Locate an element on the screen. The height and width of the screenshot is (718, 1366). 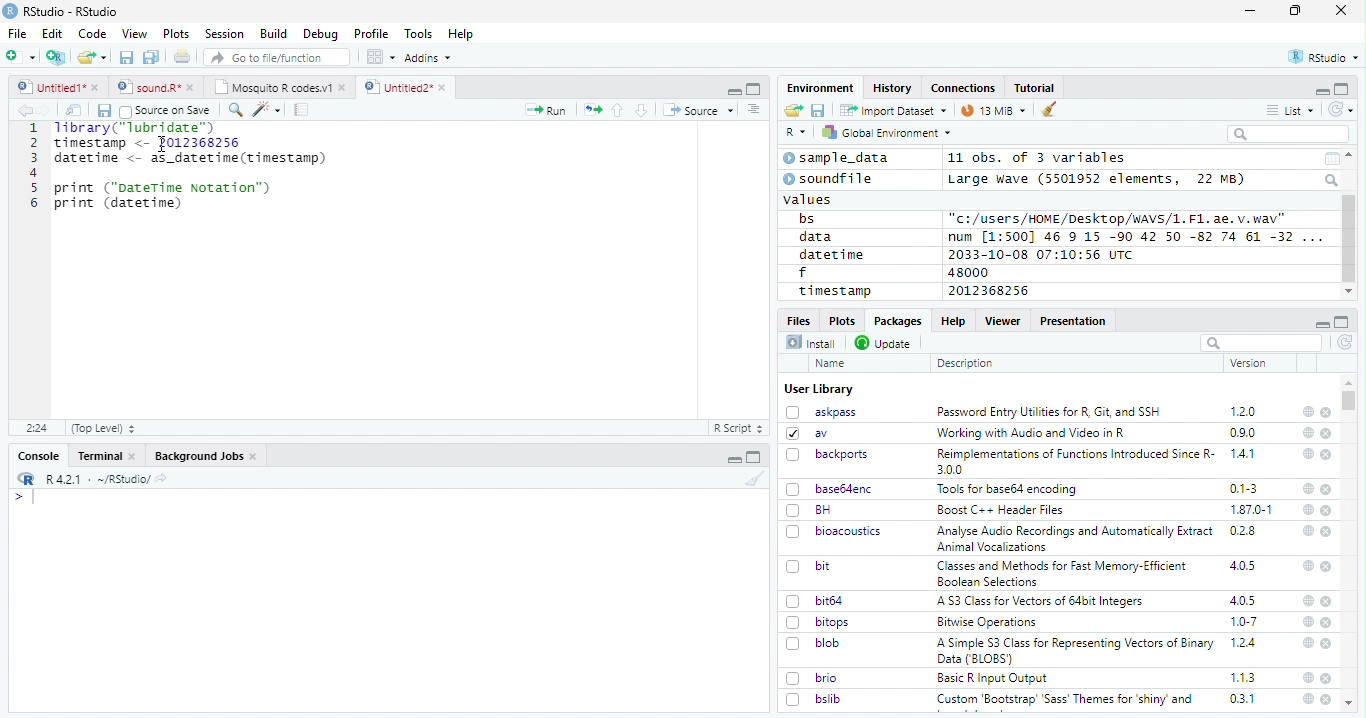
help is located at coordinates (1307, 565).